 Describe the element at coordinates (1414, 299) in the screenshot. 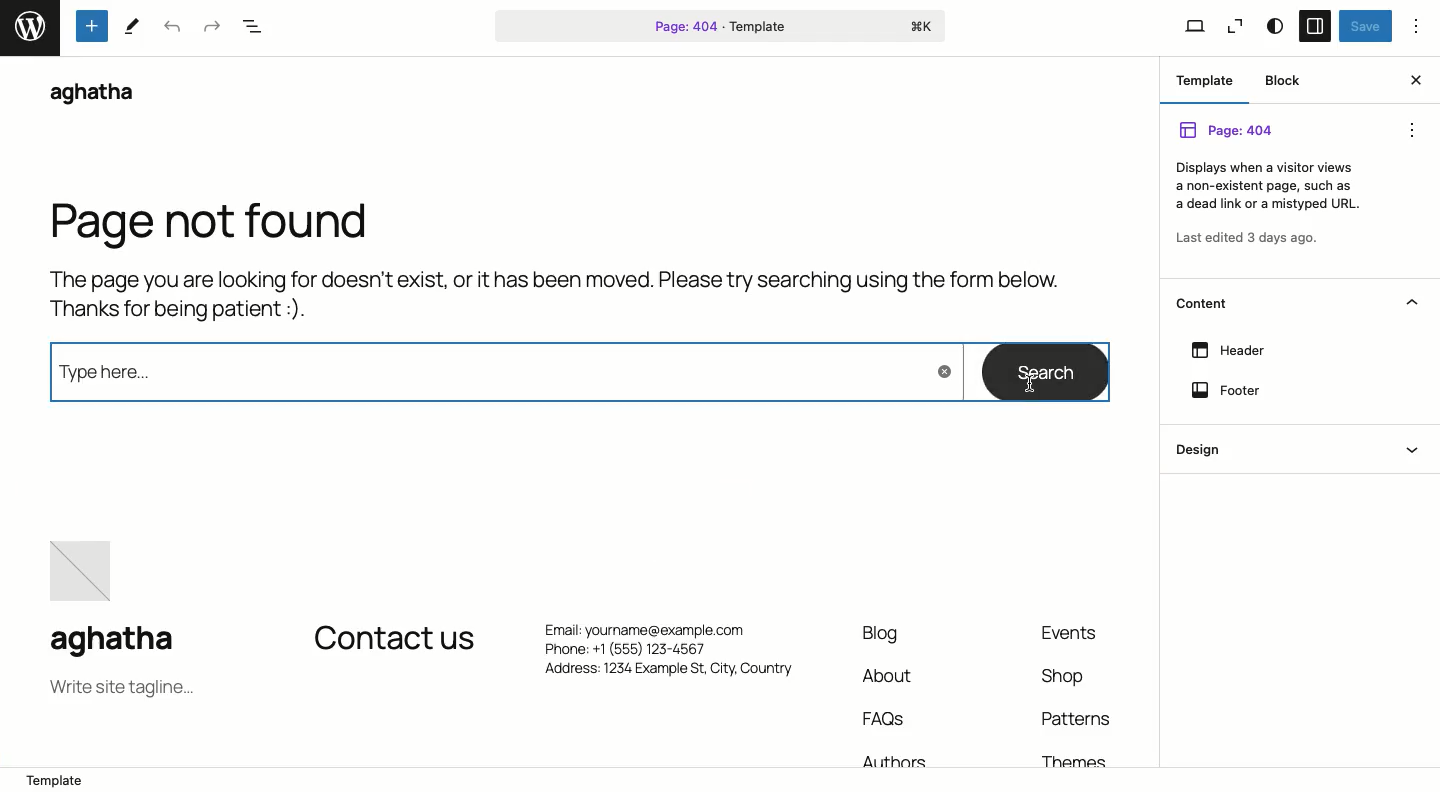

I see `Hide` at that location.